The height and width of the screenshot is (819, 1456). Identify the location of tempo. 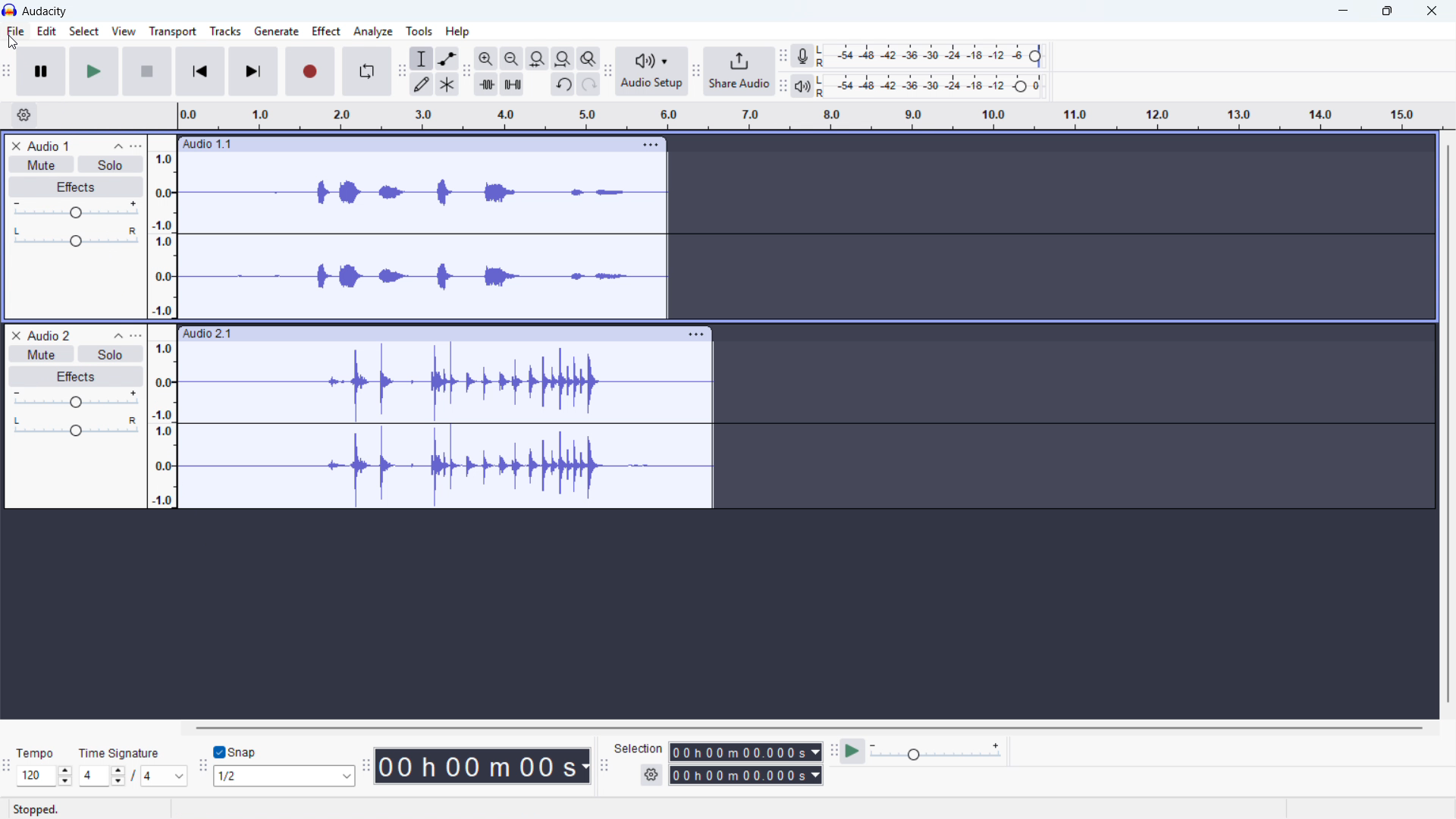
(39, 754).